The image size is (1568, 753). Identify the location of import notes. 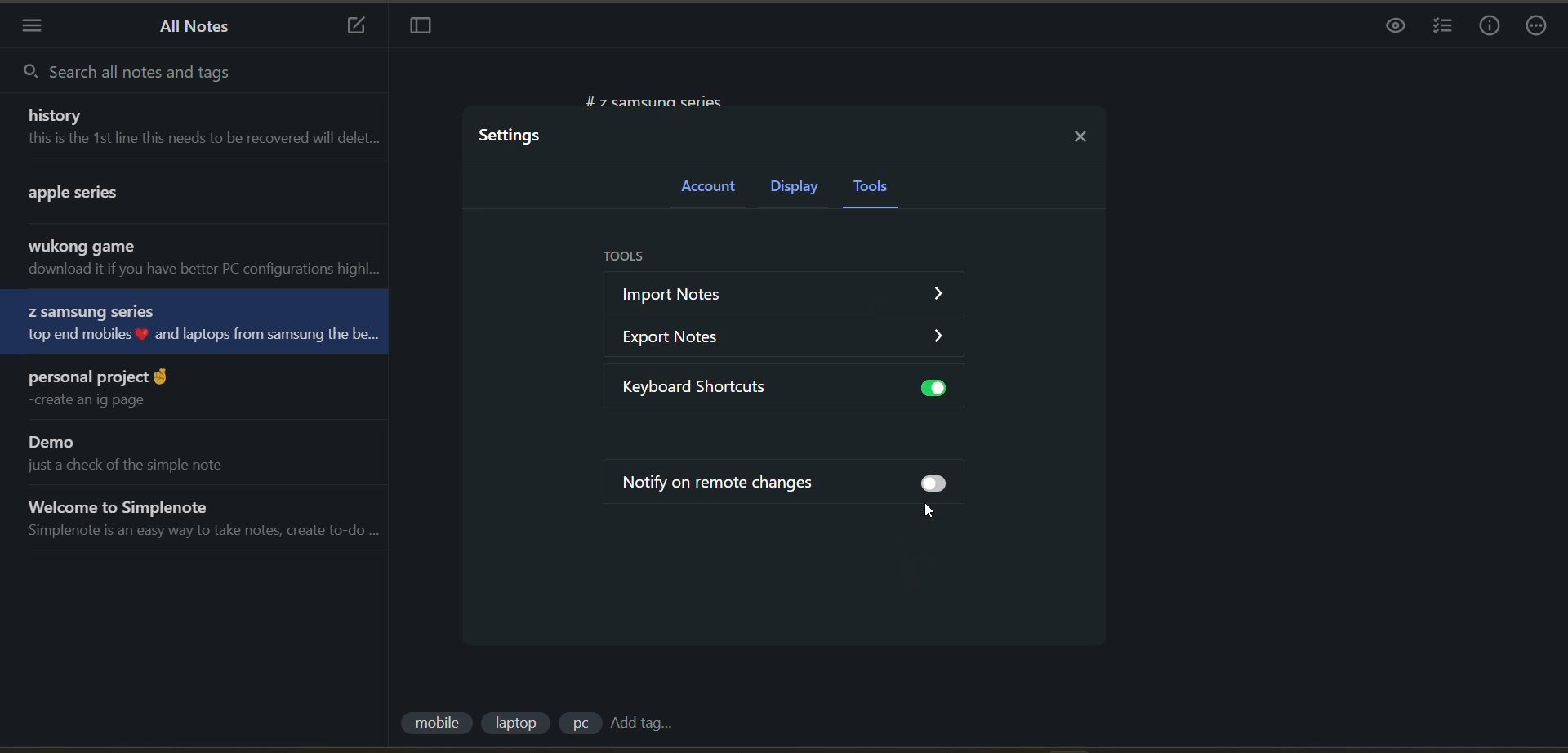
(779, 294).